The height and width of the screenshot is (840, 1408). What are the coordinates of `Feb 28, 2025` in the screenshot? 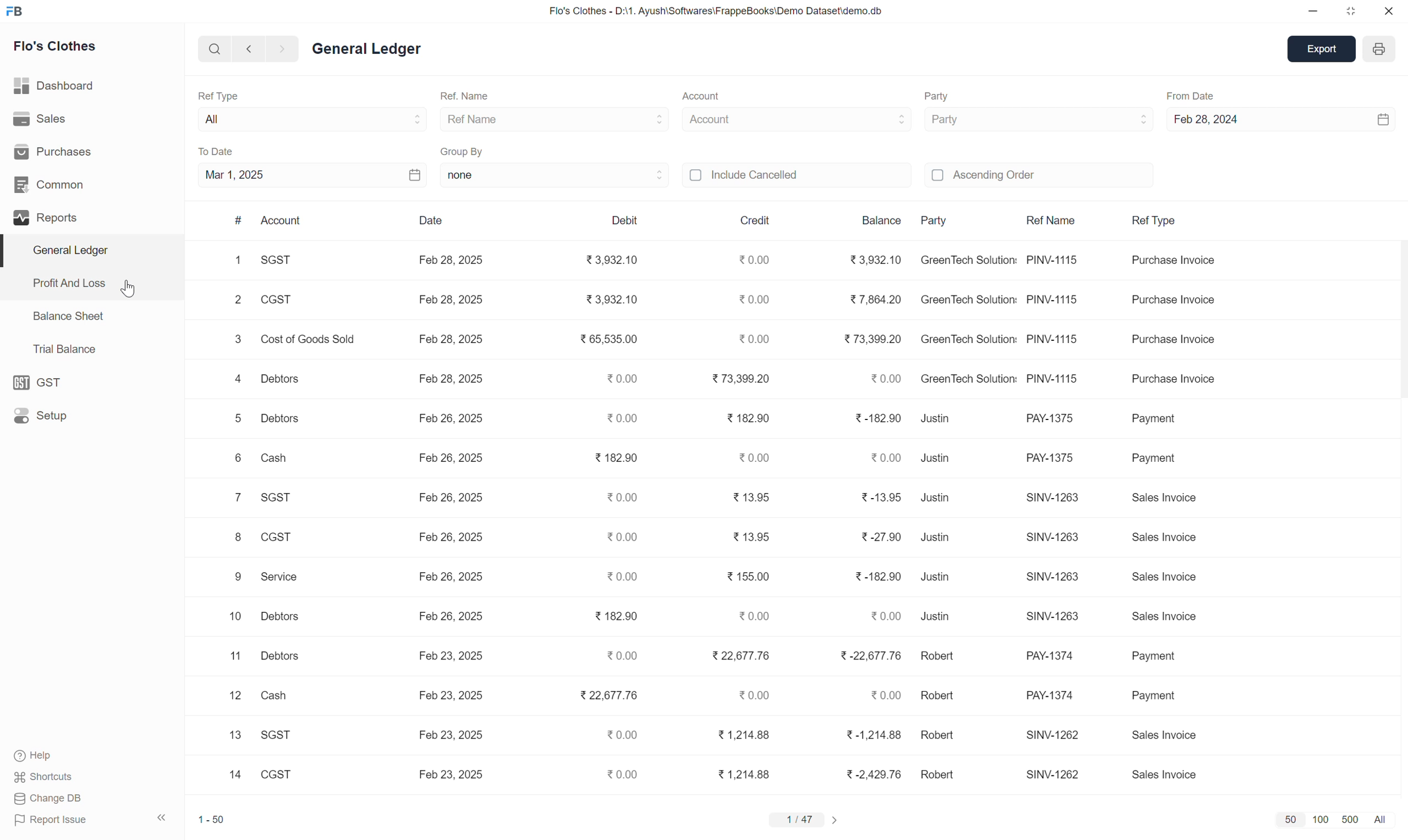 It's located at (451, 336).